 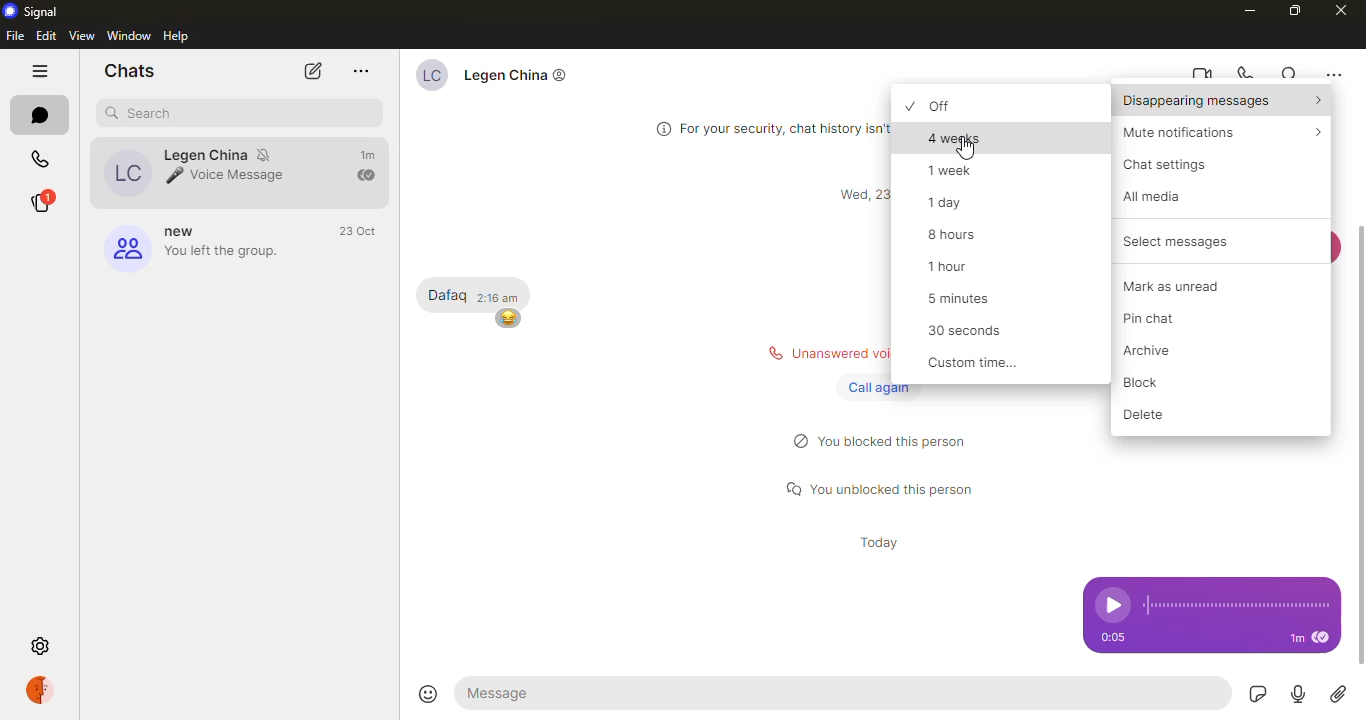 I want to click on group, so click(x=197, y=245).